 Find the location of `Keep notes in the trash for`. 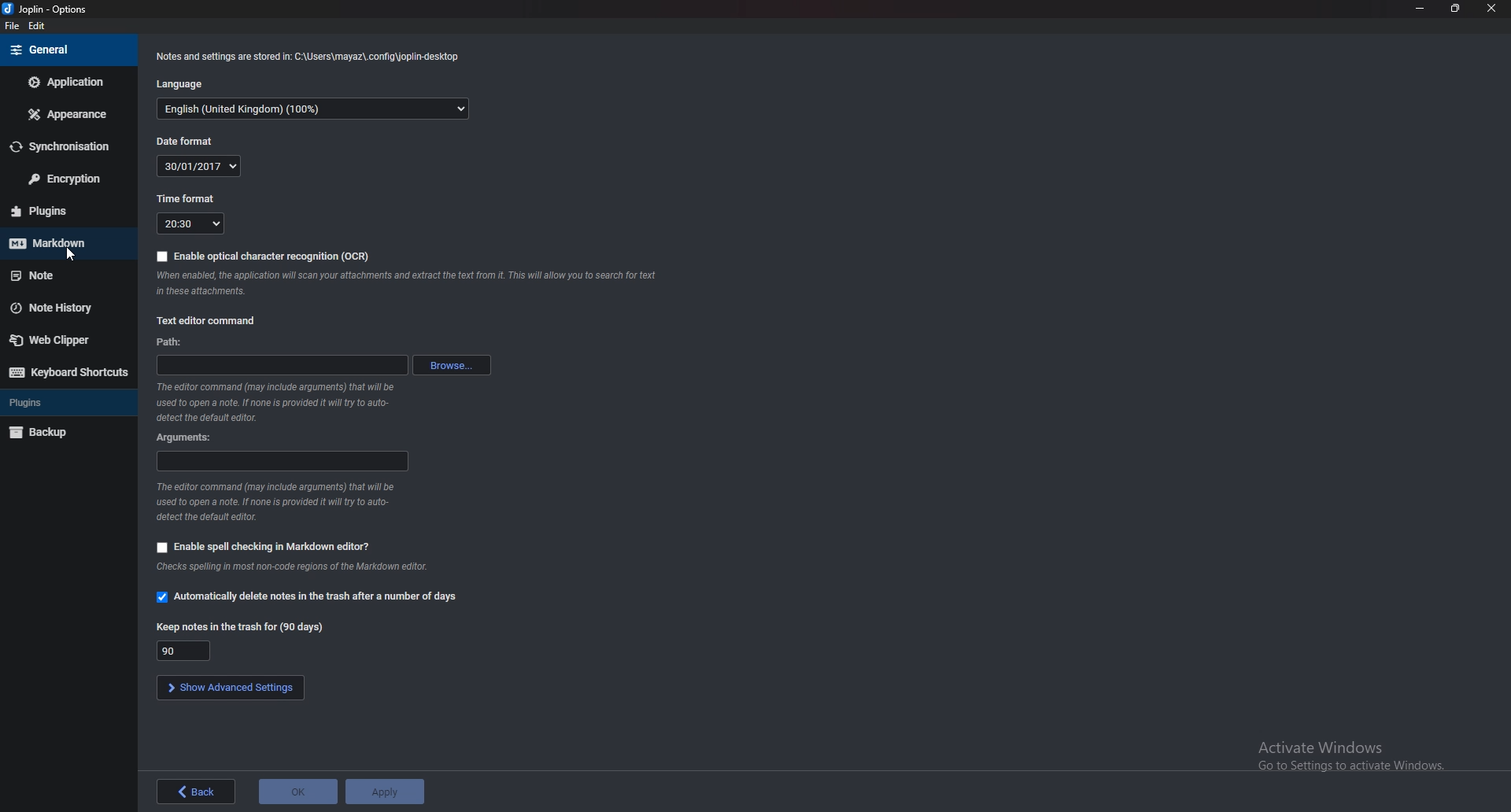

Keep notes in the trash for is located at coordinates (242, 625).